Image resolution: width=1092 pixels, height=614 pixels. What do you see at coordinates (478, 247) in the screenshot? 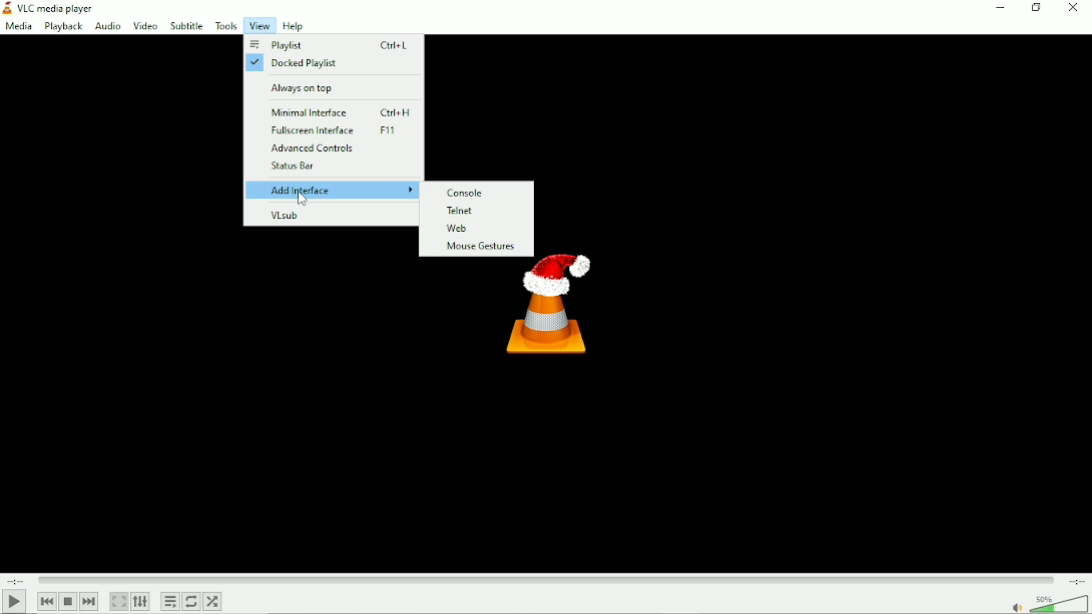
I see `Mouse gestures` at bounding box center [478, 247].